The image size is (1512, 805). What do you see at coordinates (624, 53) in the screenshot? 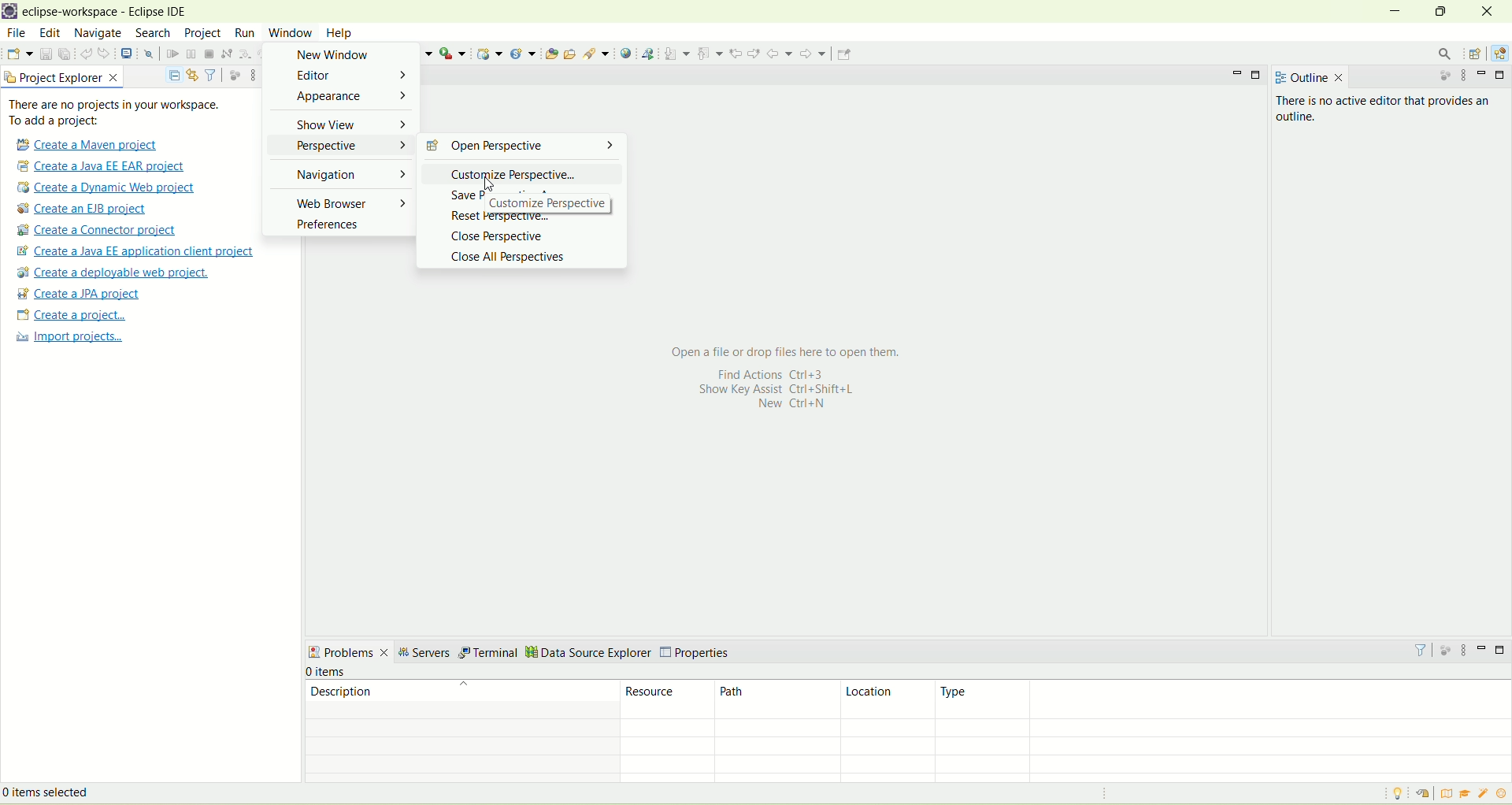
I see `open web browser` at bounding box center [624, 53].